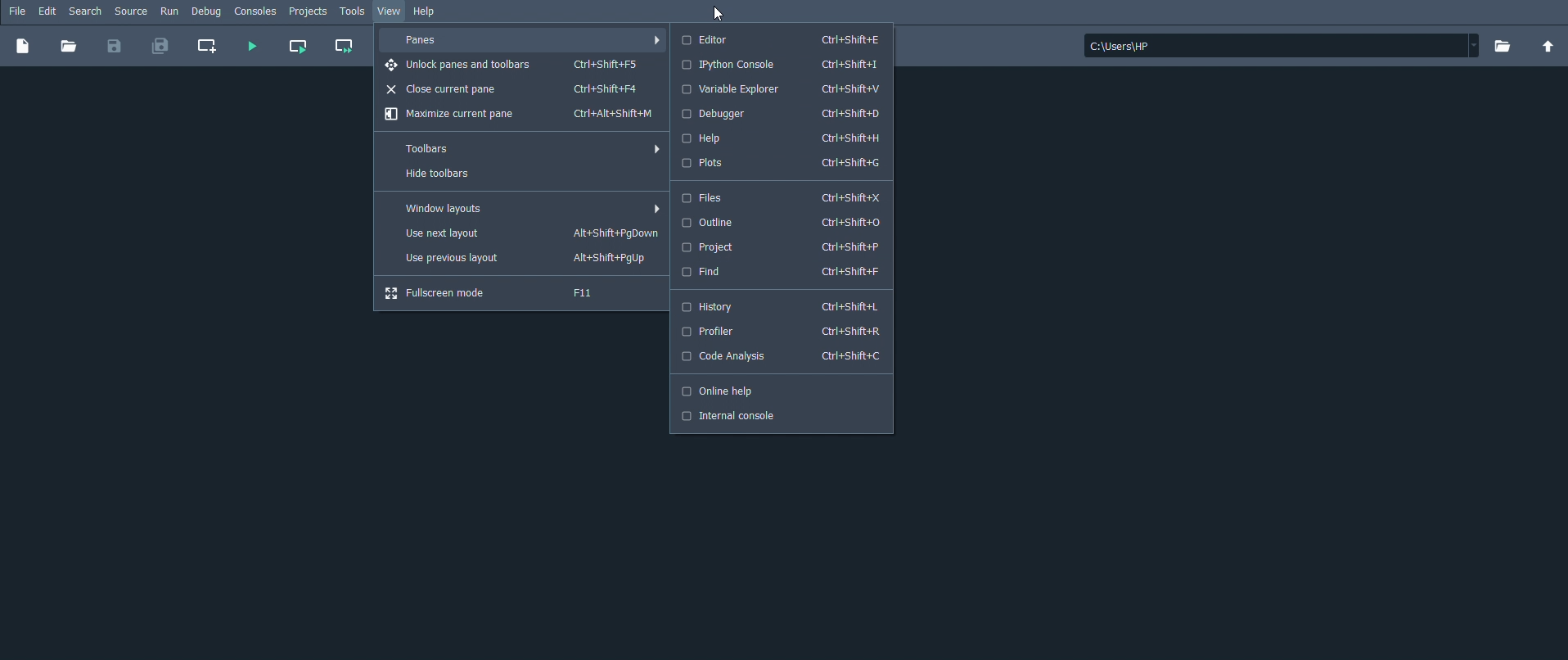 This screenshot has width=1568, height=660. Describe the element at coordinates (344, 47) in the screenshot. I see `Run current cell and go to the next one` at that location.